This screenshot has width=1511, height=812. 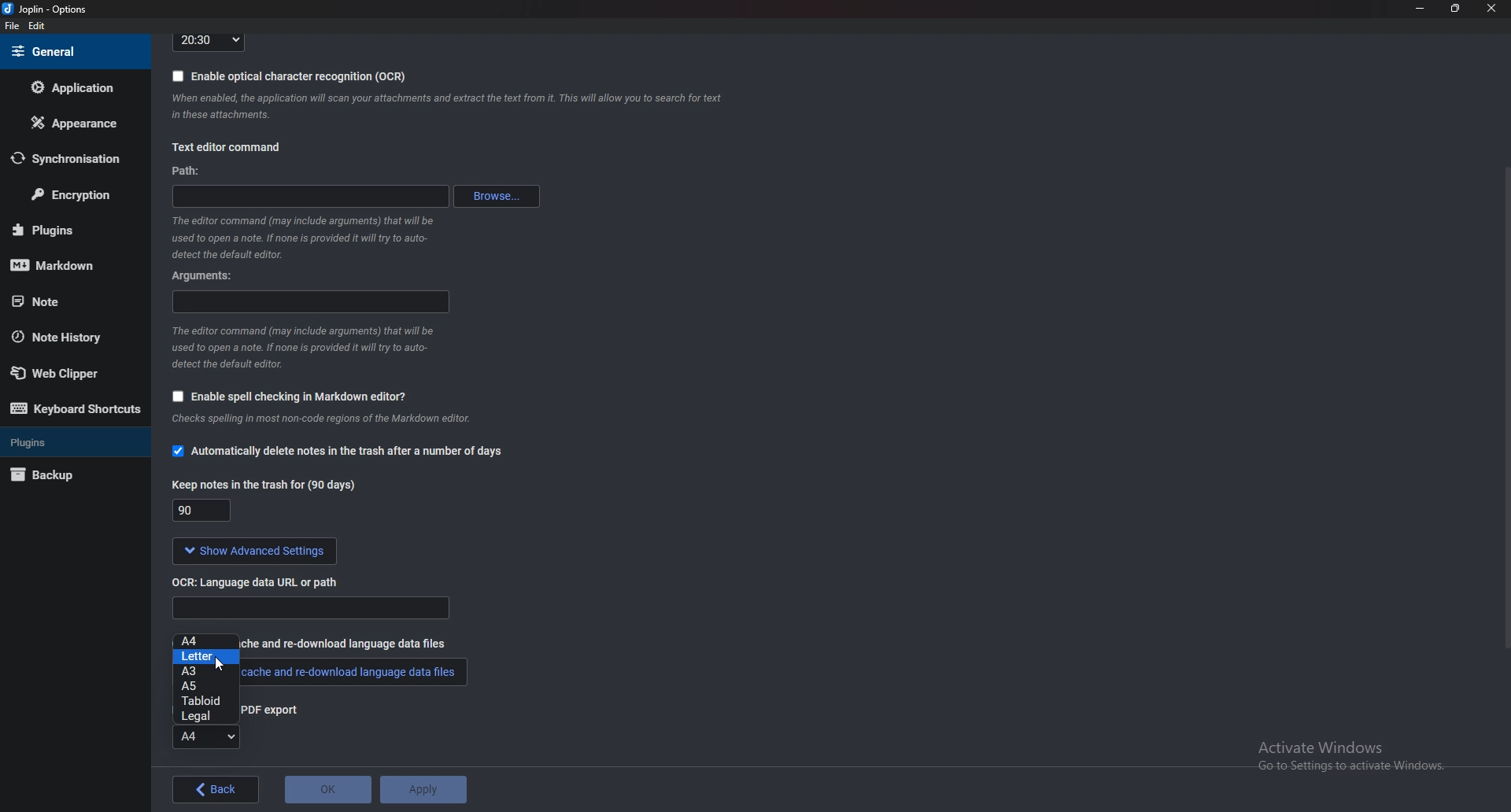 I want to click on Info on editor command, so click(x=302, y=347).